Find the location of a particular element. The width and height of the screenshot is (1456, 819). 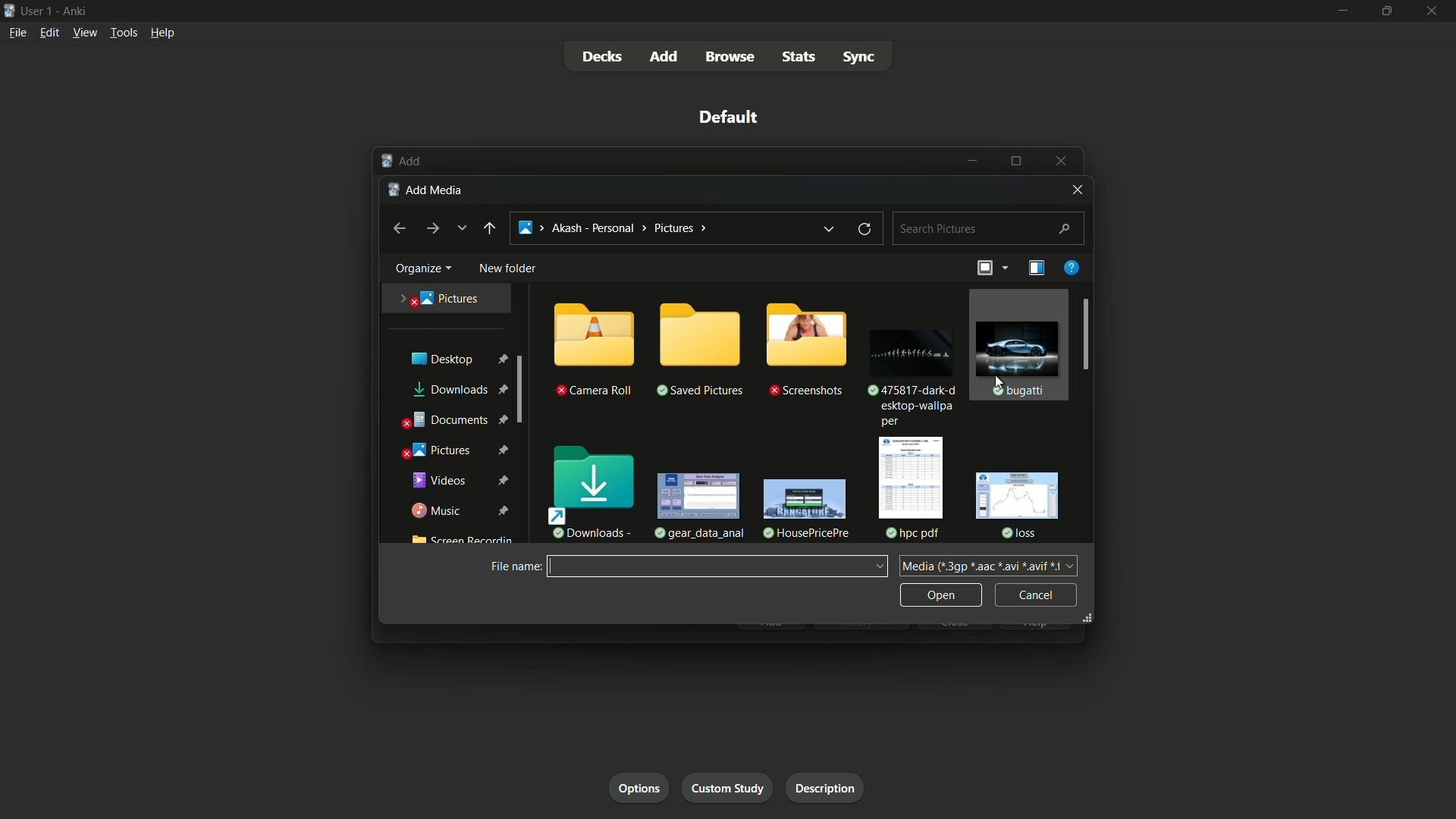

back is located at coordinates (488, 227).